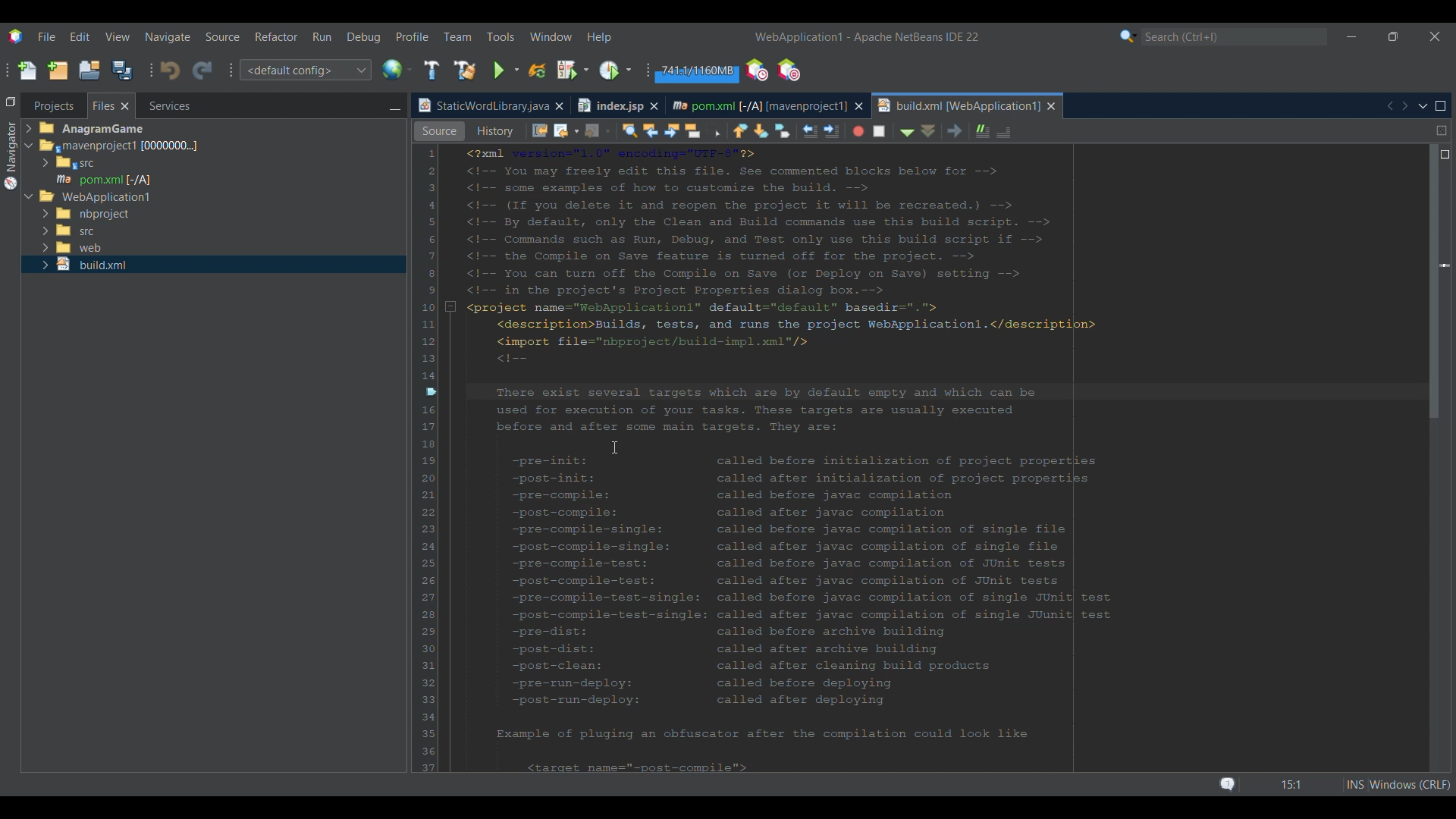 Image resolution: width=1456 pixels, height=819 pixels. What do you see at coordinates (1146, 130) in the screenshot?
I see `Uncomment` at bounding box center [1146, 130].